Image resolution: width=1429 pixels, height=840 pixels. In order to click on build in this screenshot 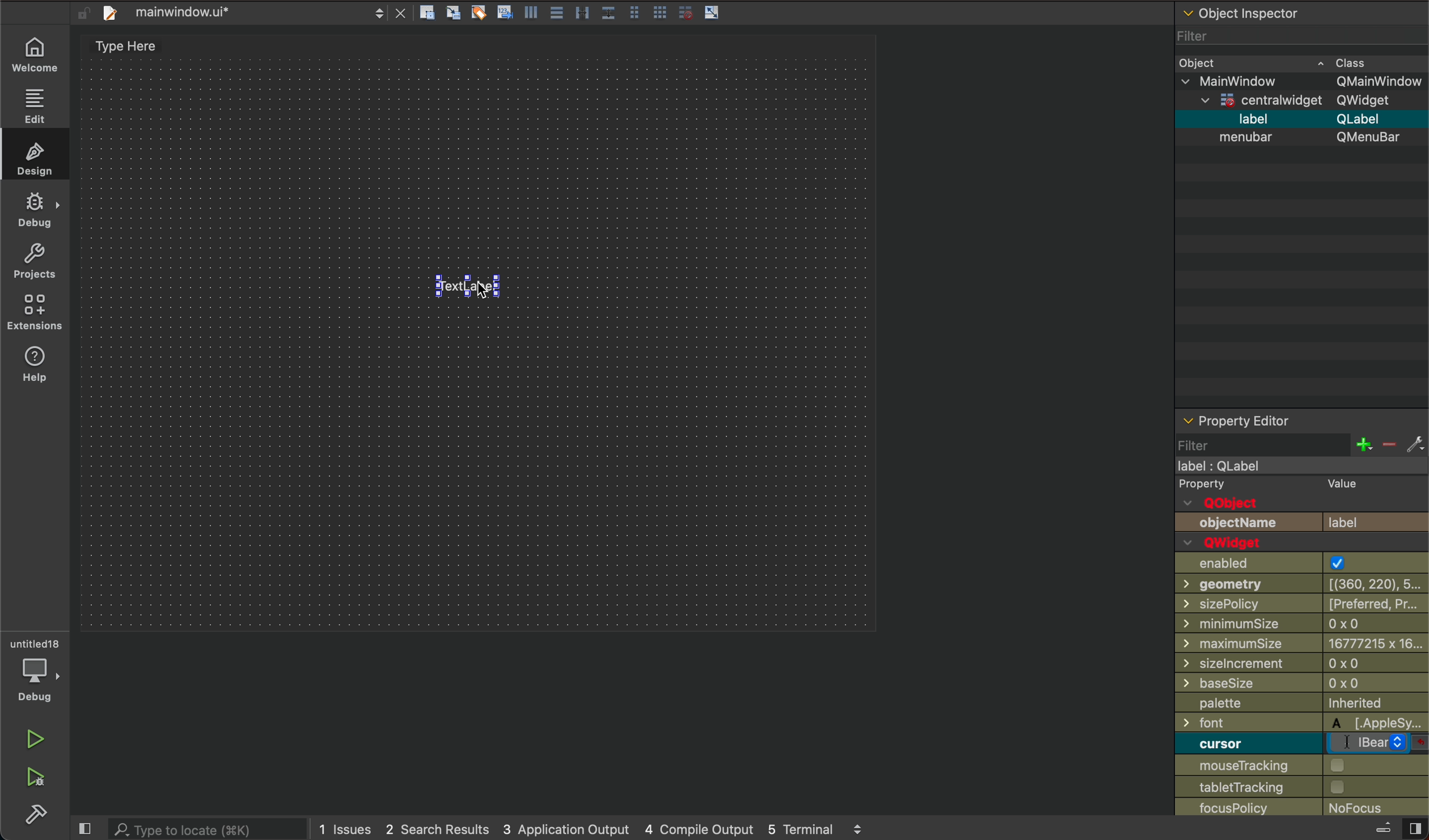, I will do `click(34, 816)`.